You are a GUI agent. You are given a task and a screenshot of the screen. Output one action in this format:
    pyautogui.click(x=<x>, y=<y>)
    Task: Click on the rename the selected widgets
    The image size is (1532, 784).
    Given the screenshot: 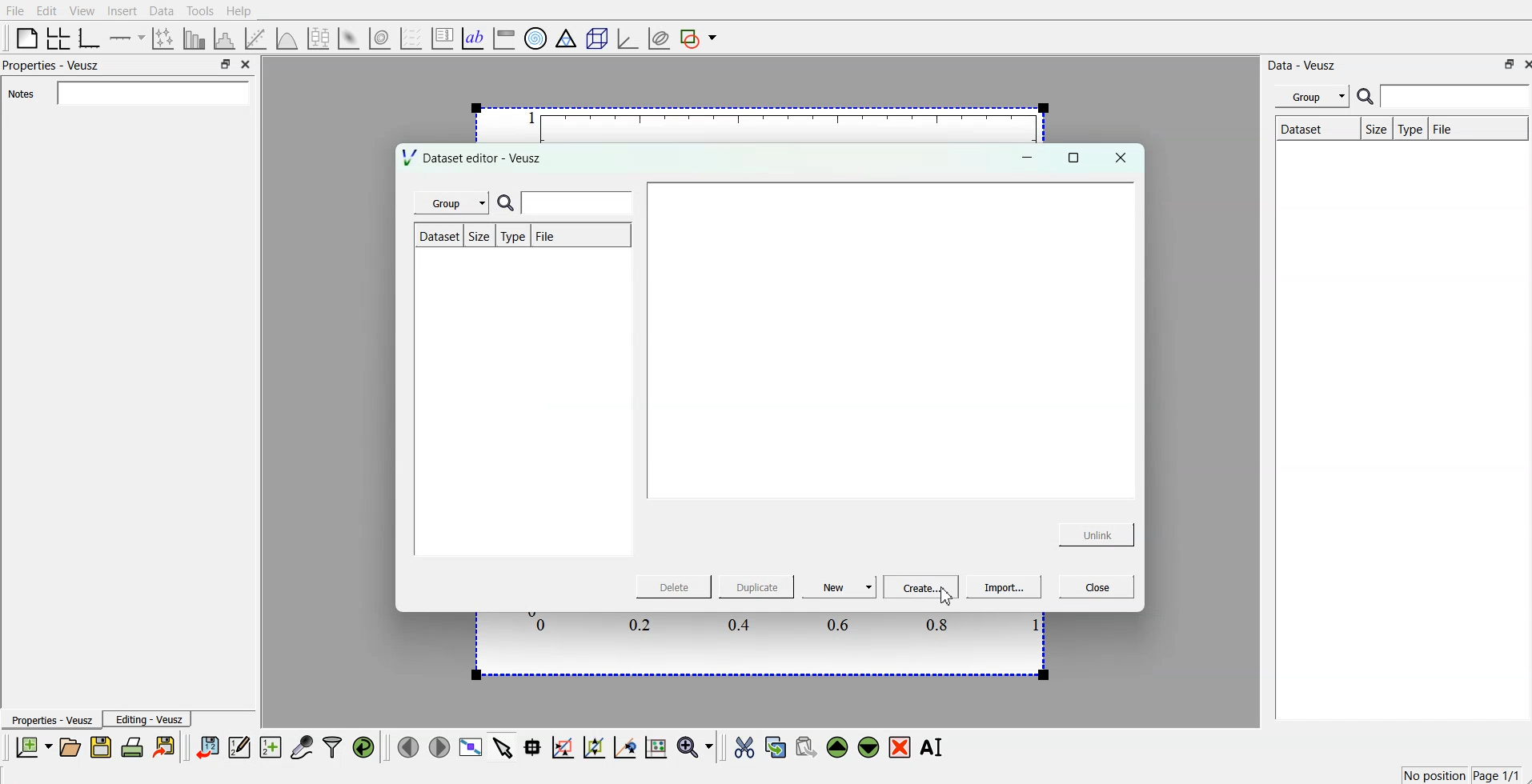 What is the action you would take?
    pyautogui.click(x=932, y=747)
    